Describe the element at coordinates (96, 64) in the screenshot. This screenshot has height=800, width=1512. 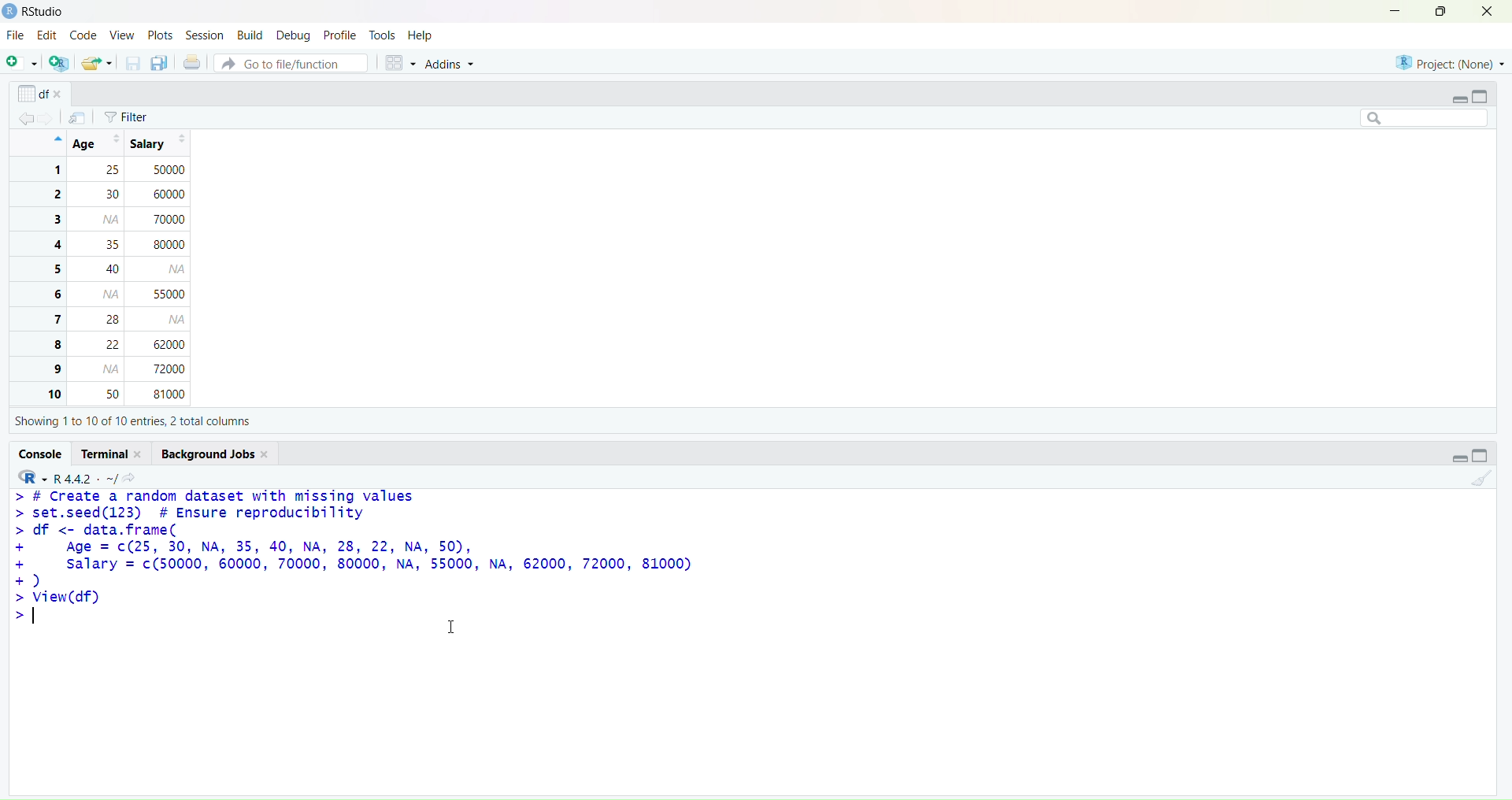
I see `open an existing file` at that location.